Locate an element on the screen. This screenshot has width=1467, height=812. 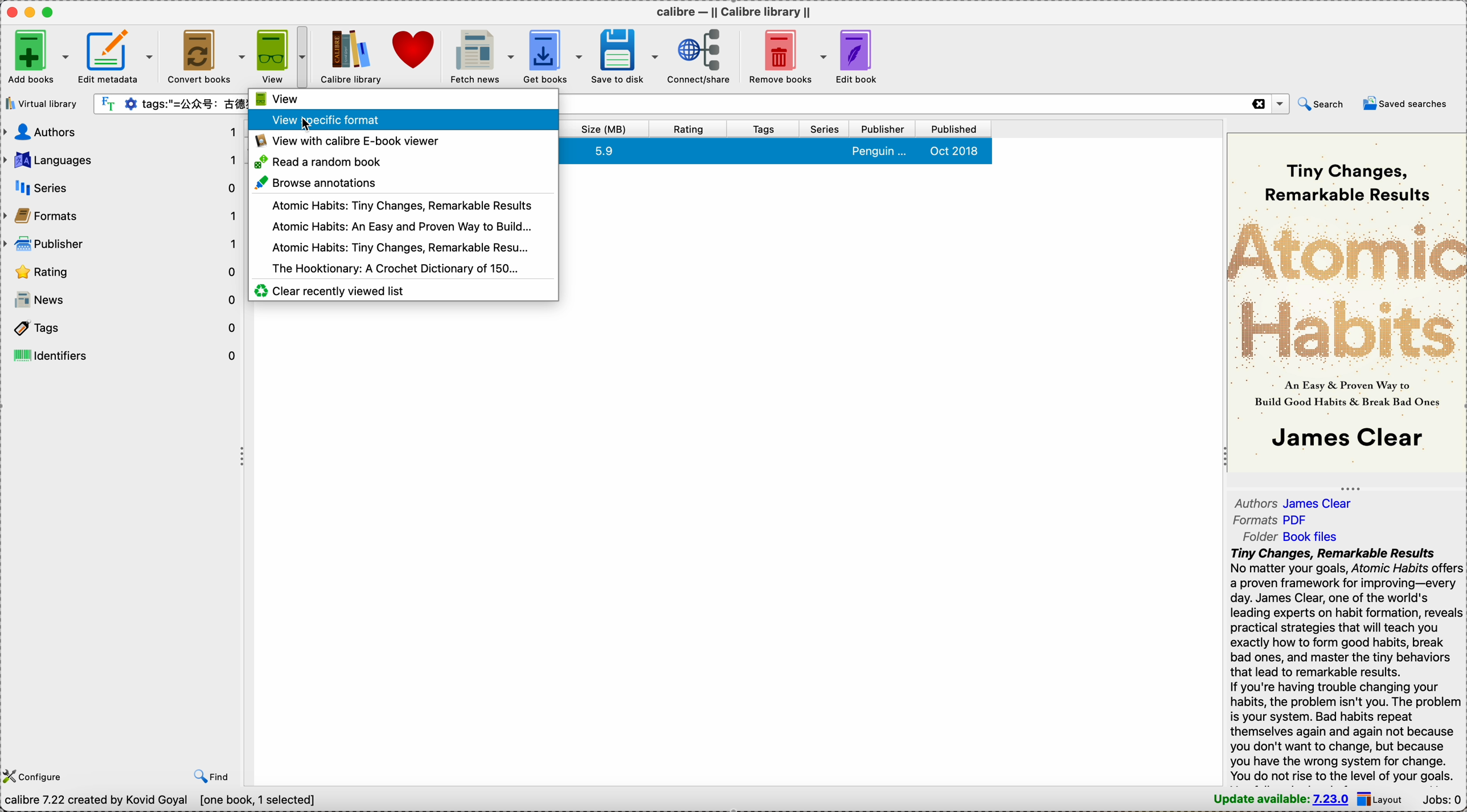
atomic habits book is located at coordinates (401, 205).